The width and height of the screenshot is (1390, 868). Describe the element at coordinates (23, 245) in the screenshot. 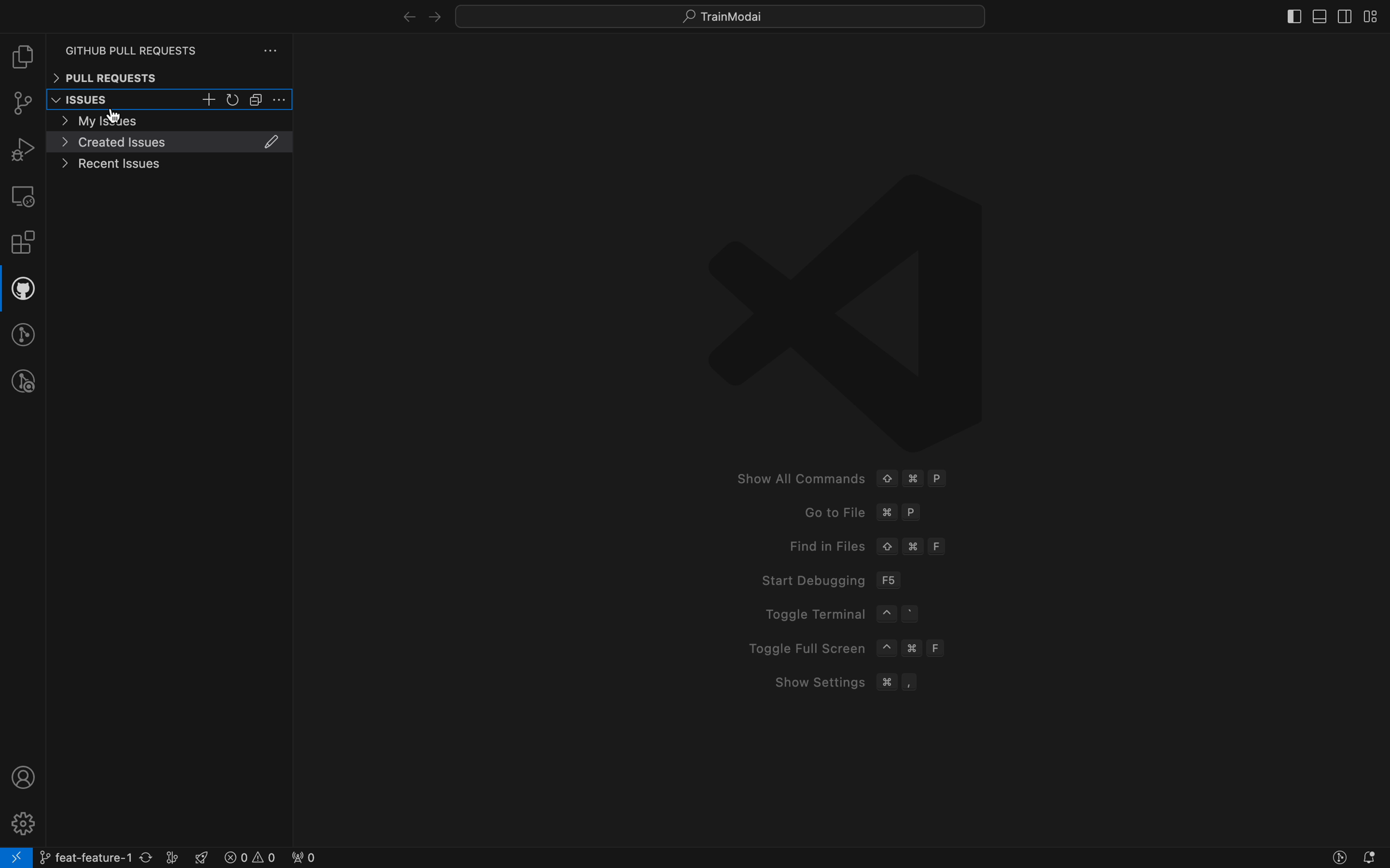

I see `Extensions` at that location.